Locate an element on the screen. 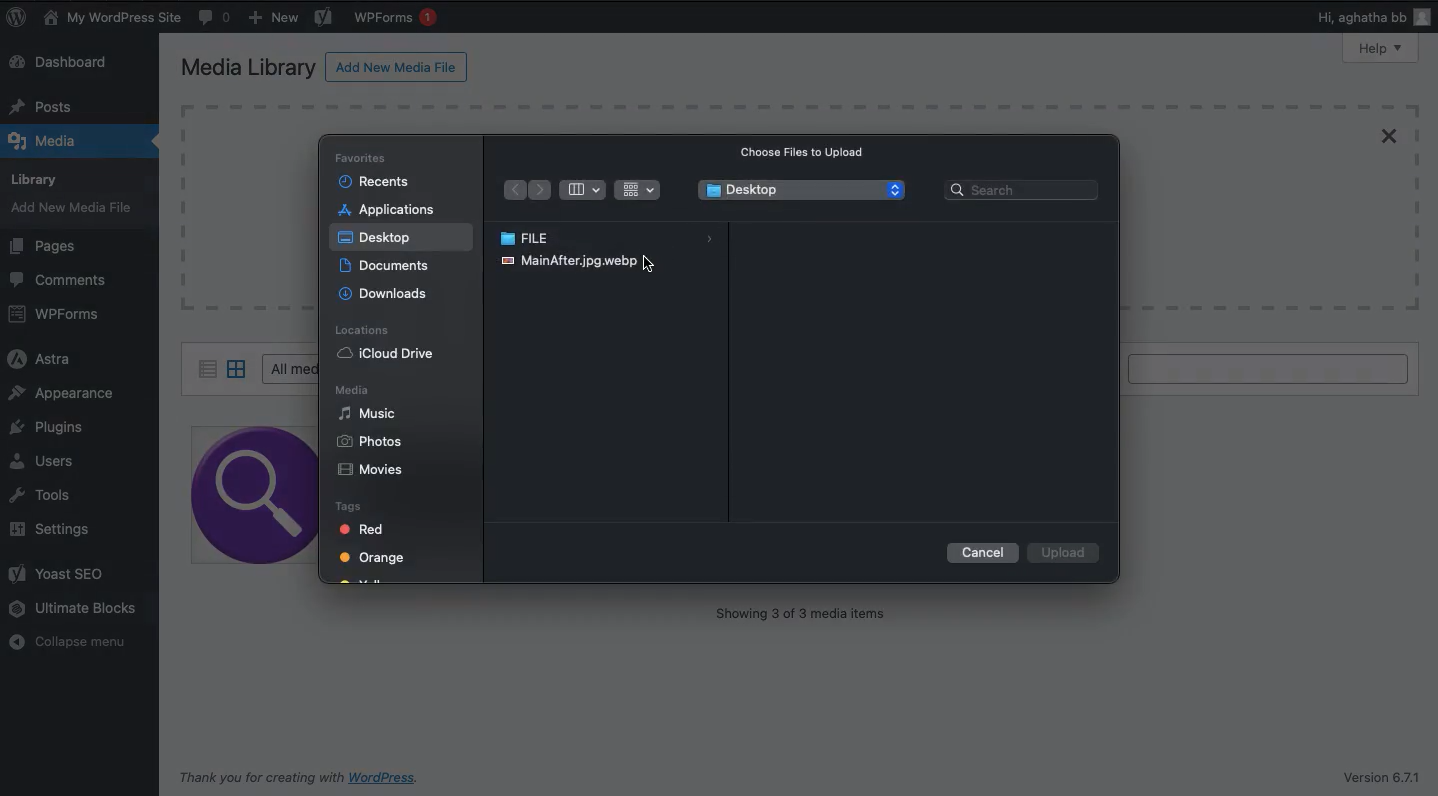 This screenshot has height=796, width=1438. Help is located at coordinates (1382, 48).